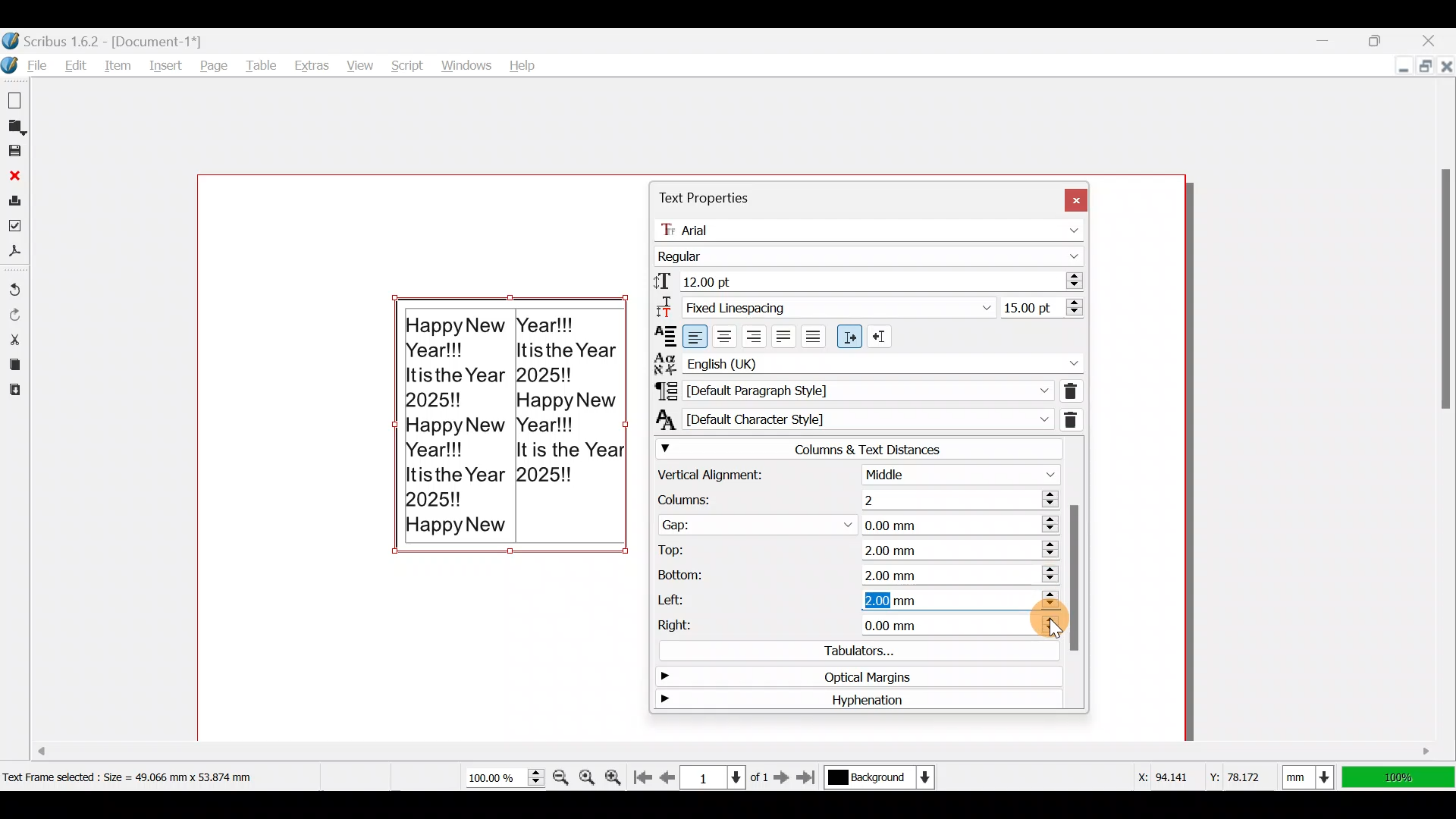  I want to click on Remove direct character formatting, so click(1078, 418).